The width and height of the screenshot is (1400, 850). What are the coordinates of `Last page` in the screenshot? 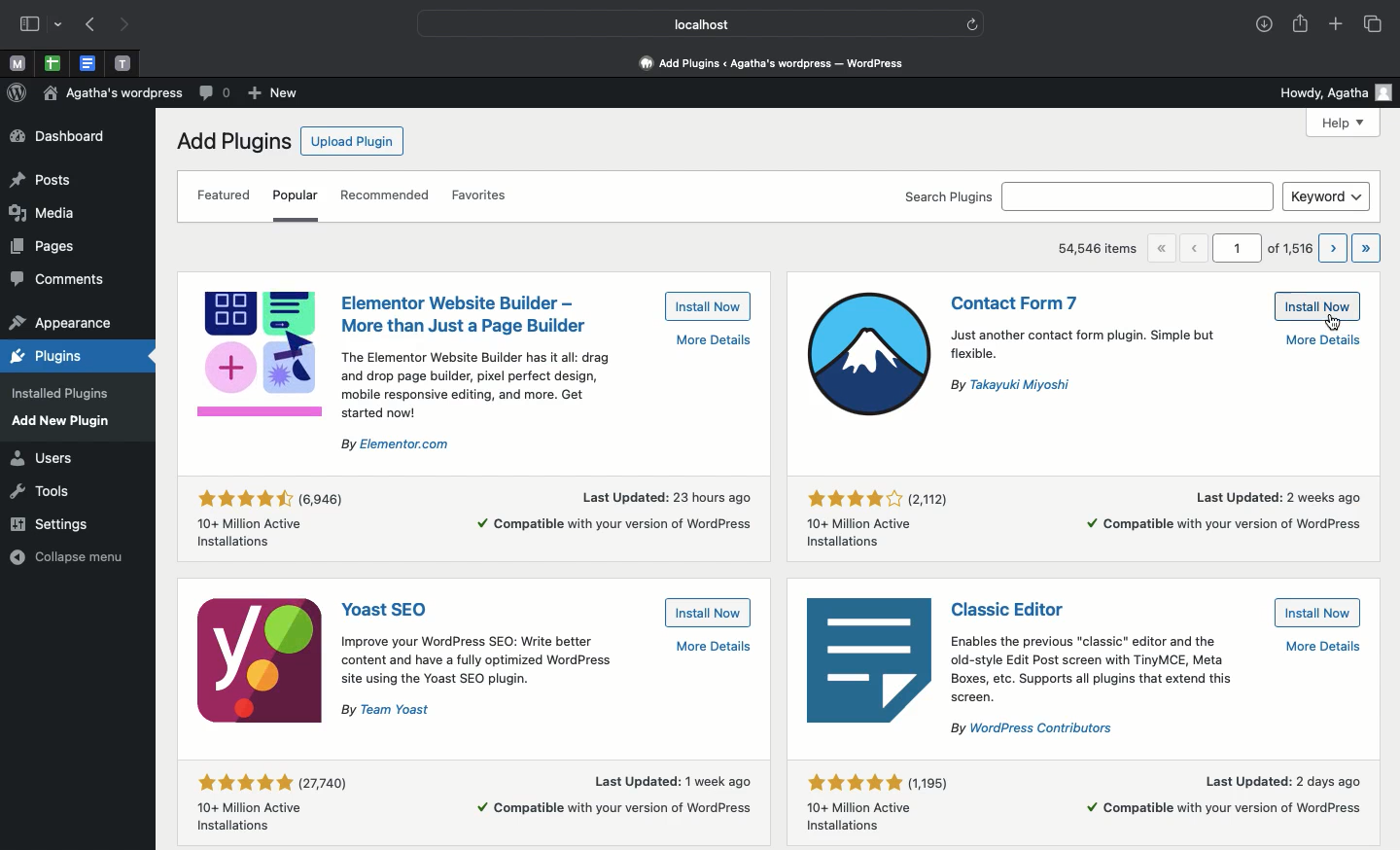 It's located at (1367, 249).